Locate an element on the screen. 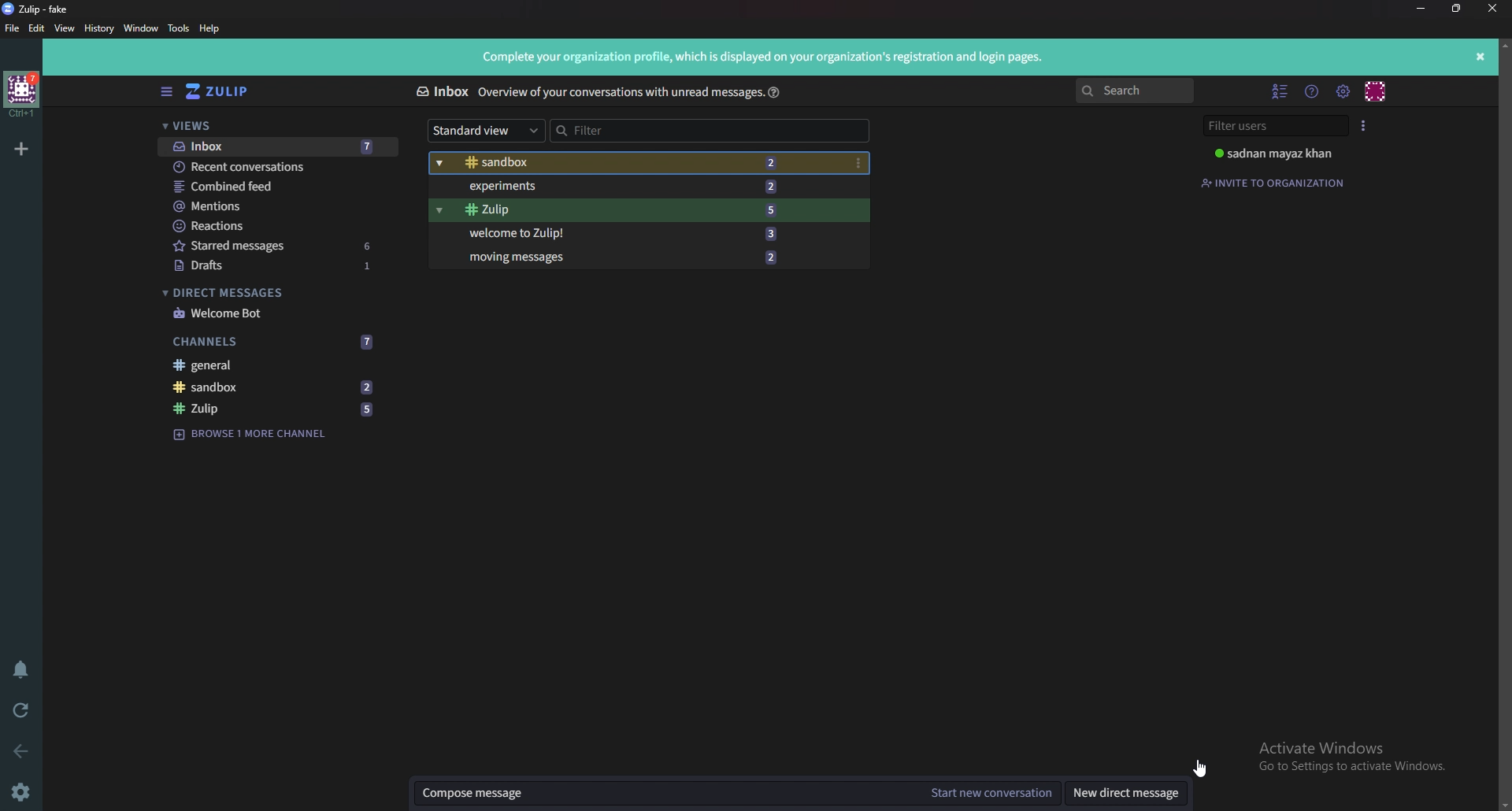 The width and height of the screenshot is (1512, 811). views is located at coordinates (272, 126).